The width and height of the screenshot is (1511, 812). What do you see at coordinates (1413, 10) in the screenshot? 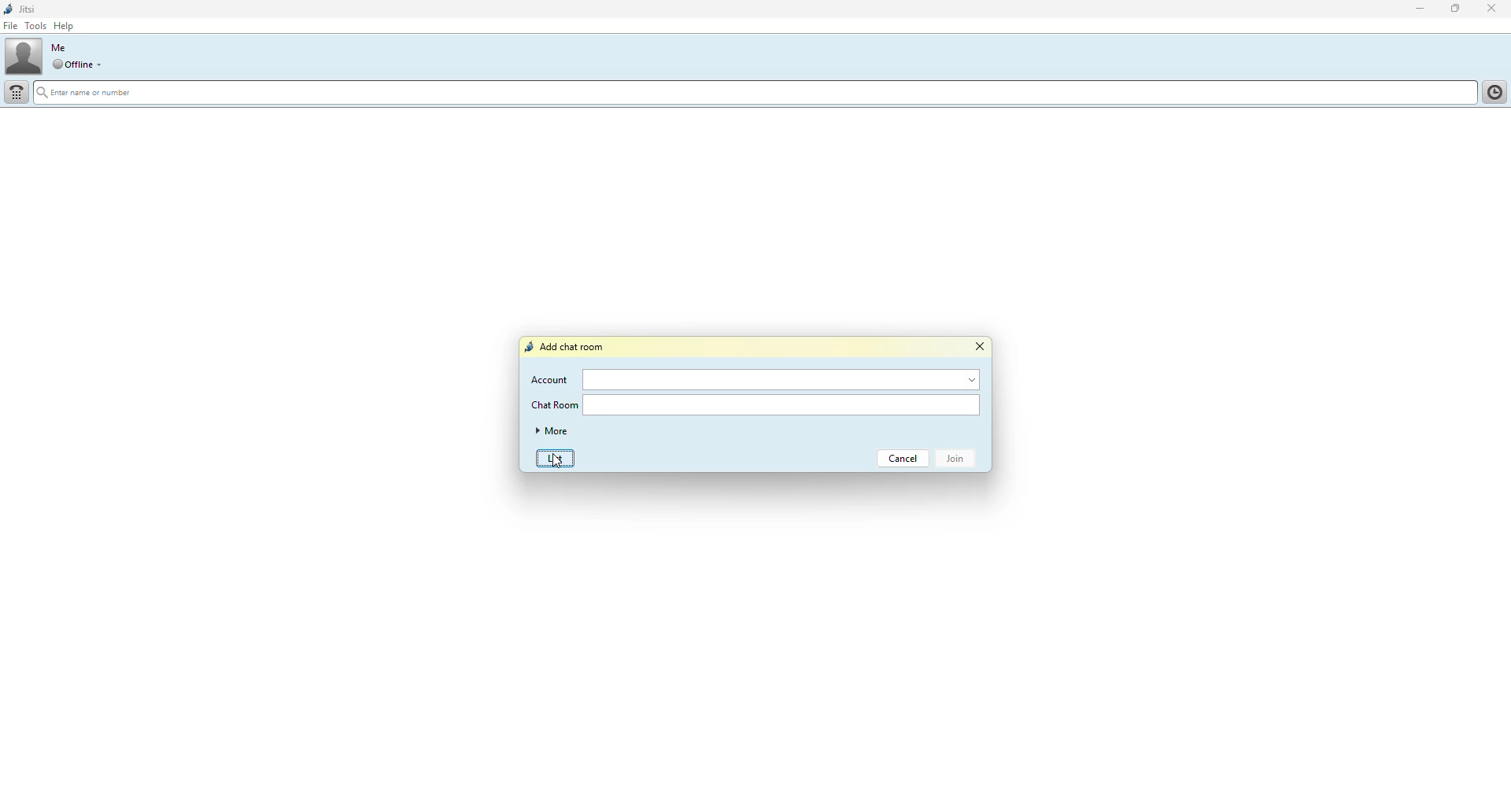
I see `minimize` at bounding box center [1413, 10].